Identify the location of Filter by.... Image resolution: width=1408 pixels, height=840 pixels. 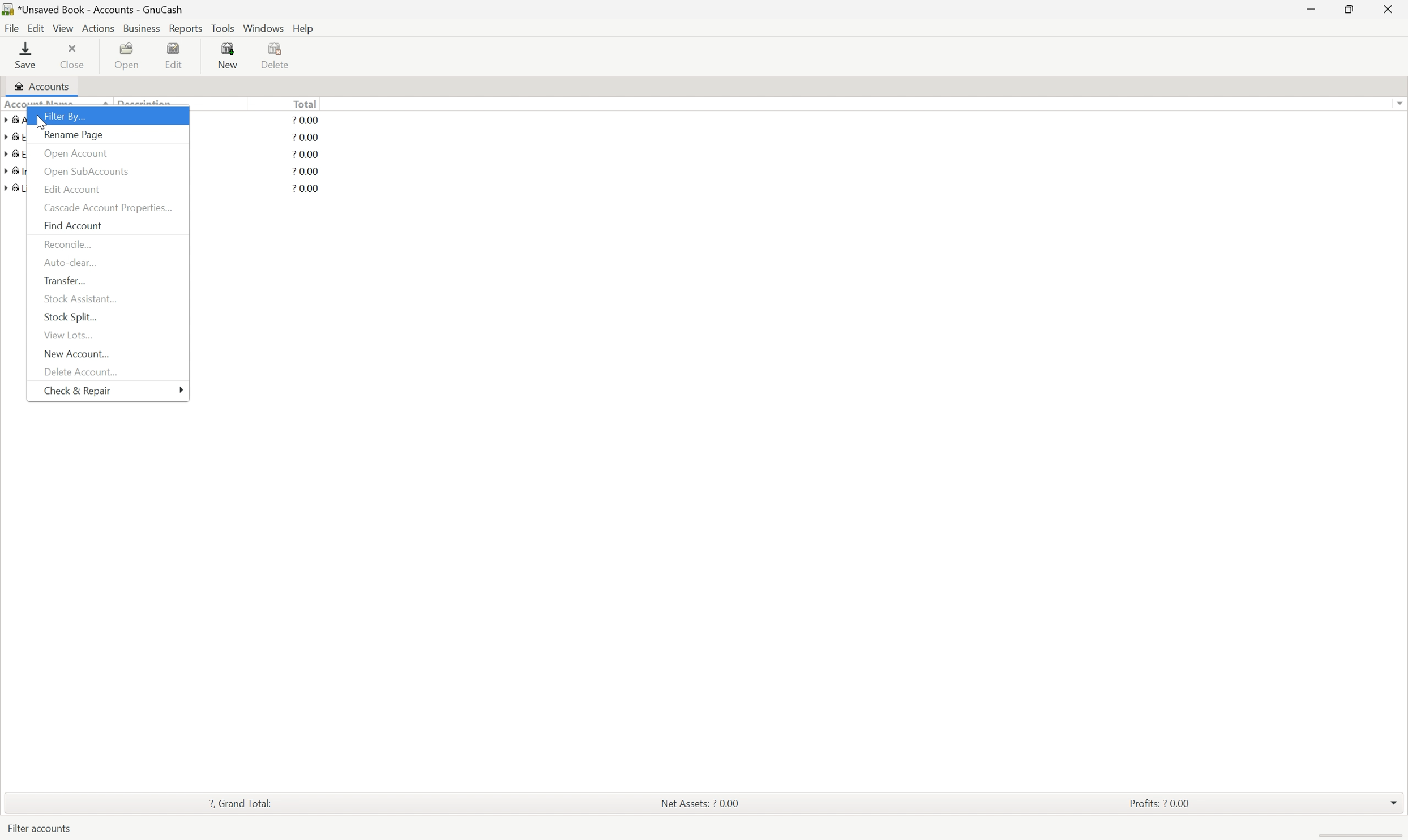
(65, 115).